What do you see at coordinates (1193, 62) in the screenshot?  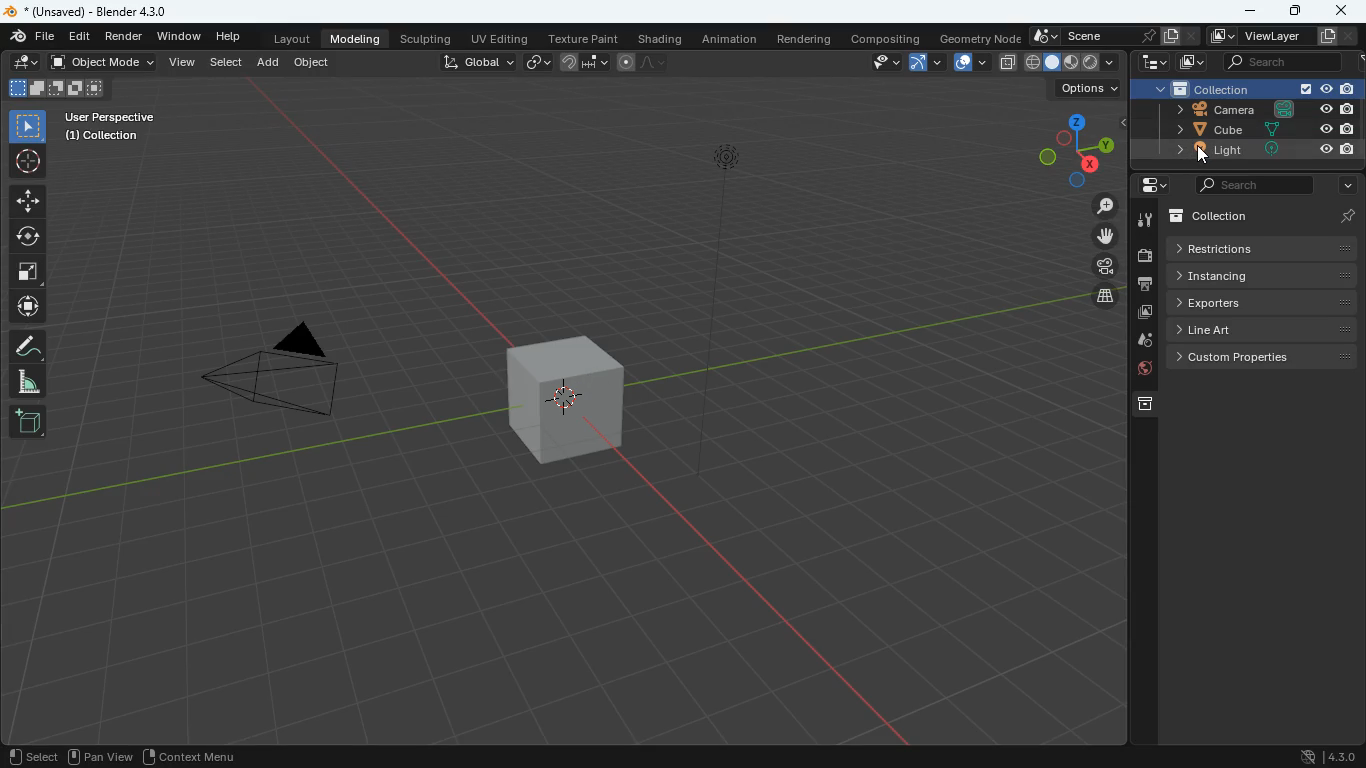 I see `image` at bounding box center [1193, 62].